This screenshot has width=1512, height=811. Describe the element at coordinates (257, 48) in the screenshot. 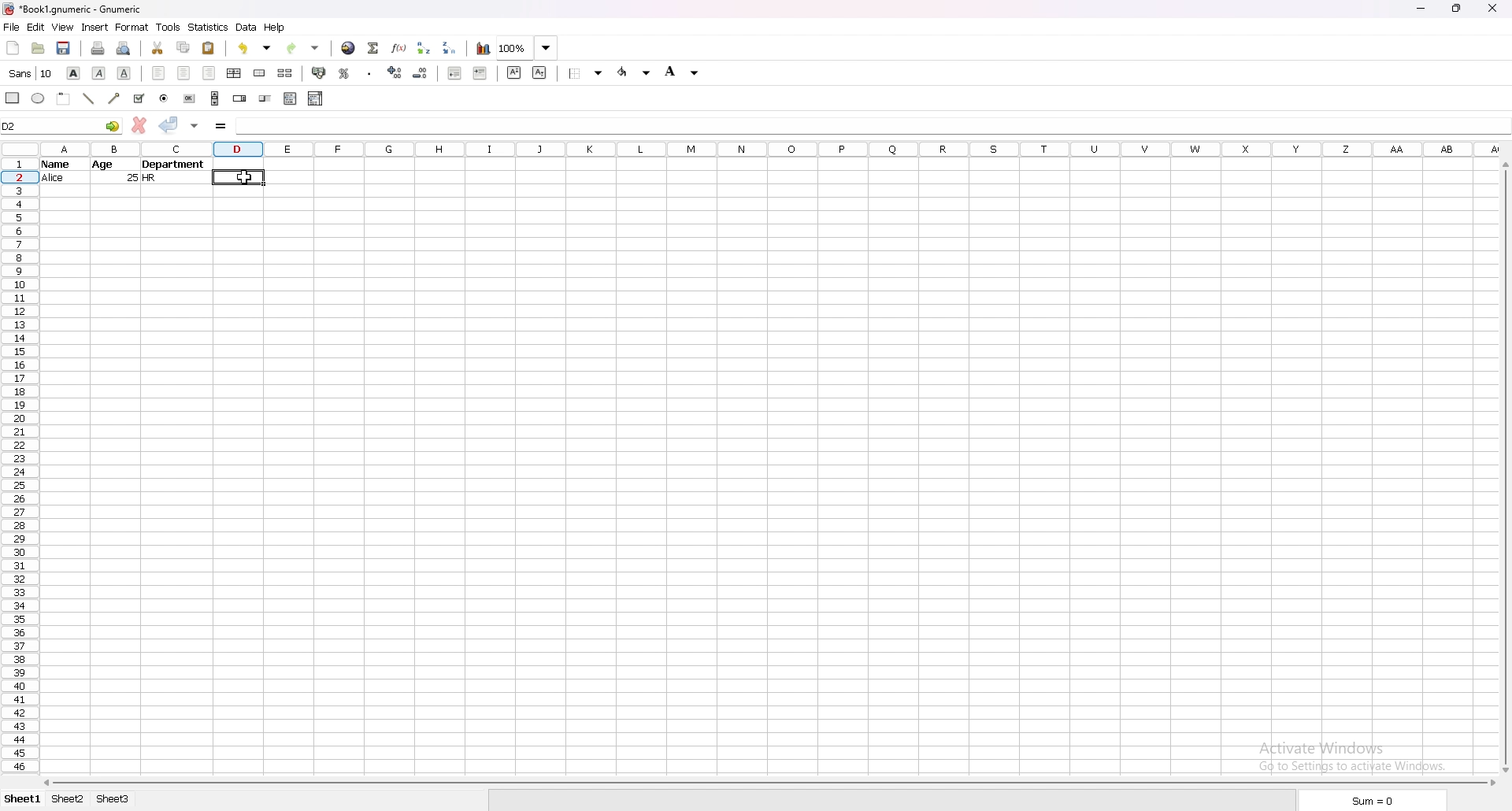

I see `undo` at that location.